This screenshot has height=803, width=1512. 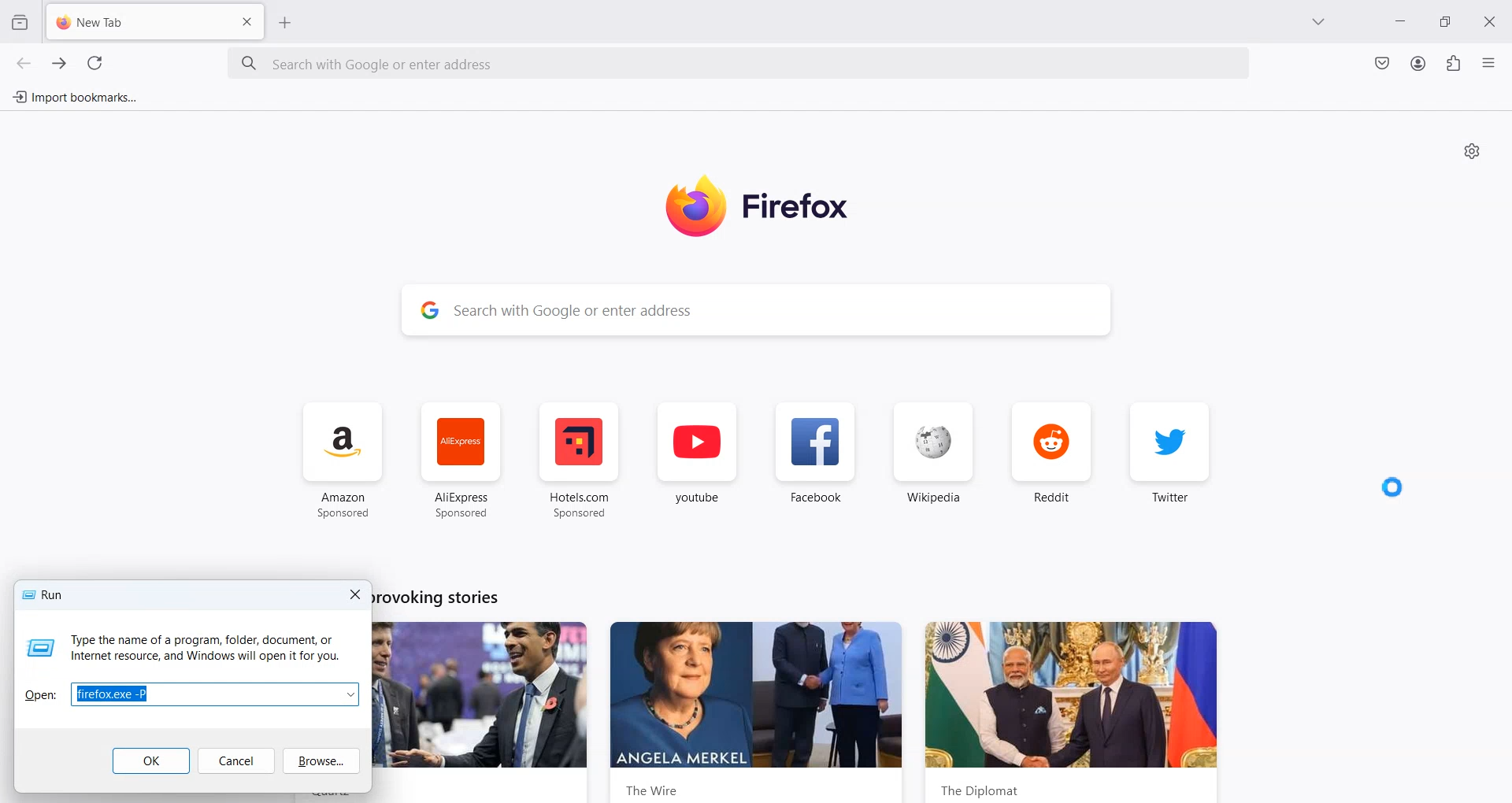 I want to click on Add New Tab, so click(x=286, y=22).